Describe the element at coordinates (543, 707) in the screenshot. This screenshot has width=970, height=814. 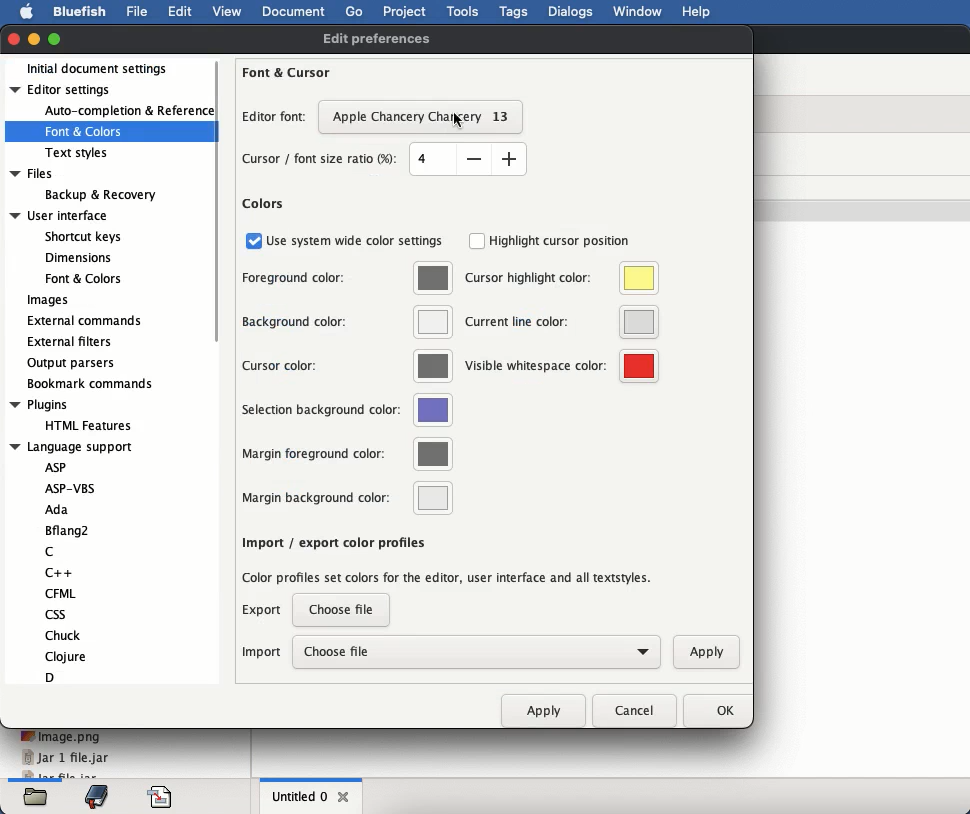
I see `apply` at that location.